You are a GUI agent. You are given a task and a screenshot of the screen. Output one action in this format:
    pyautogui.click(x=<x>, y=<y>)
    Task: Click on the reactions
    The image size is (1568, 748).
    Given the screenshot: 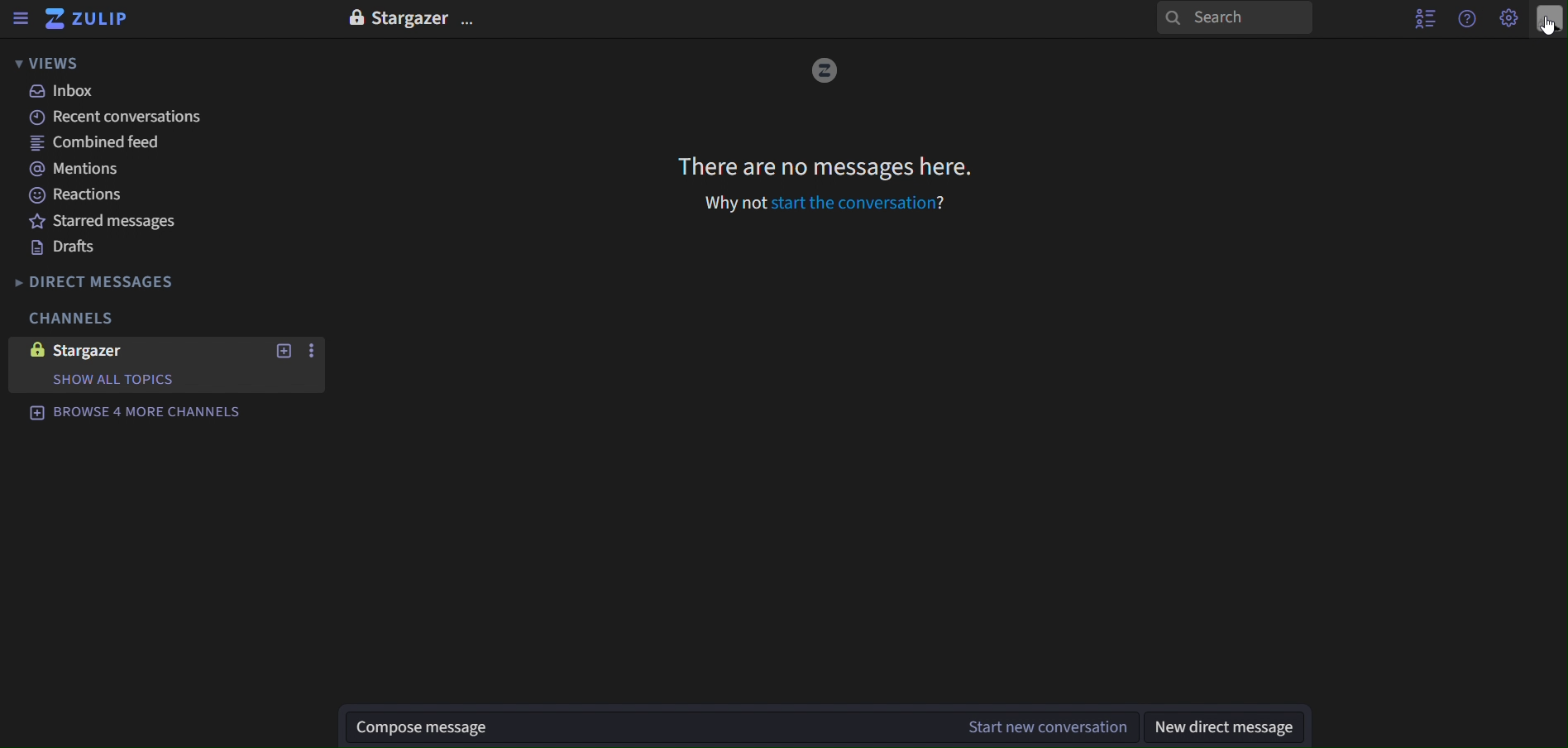 What is the action you would take?
    pyautogui.click(x=81, y=196)
    